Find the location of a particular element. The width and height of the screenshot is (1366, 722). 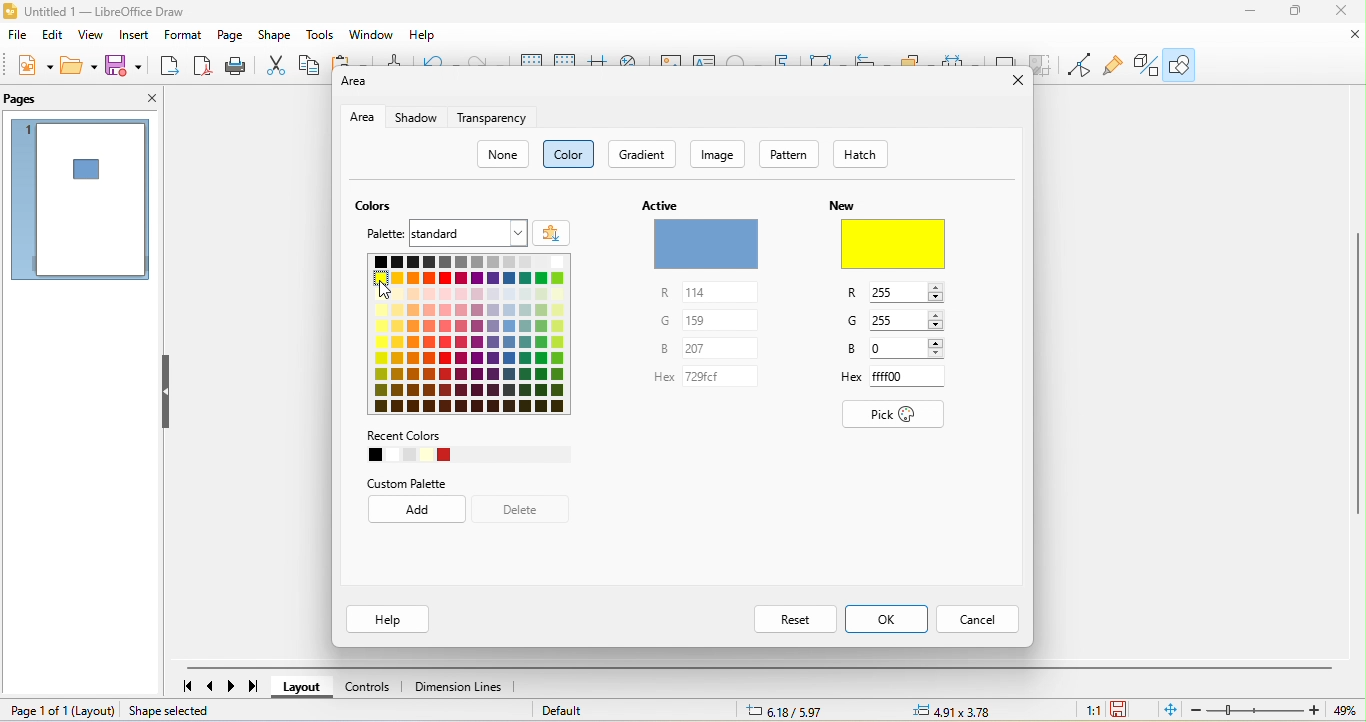

pages is located at coordinates (48, 100).